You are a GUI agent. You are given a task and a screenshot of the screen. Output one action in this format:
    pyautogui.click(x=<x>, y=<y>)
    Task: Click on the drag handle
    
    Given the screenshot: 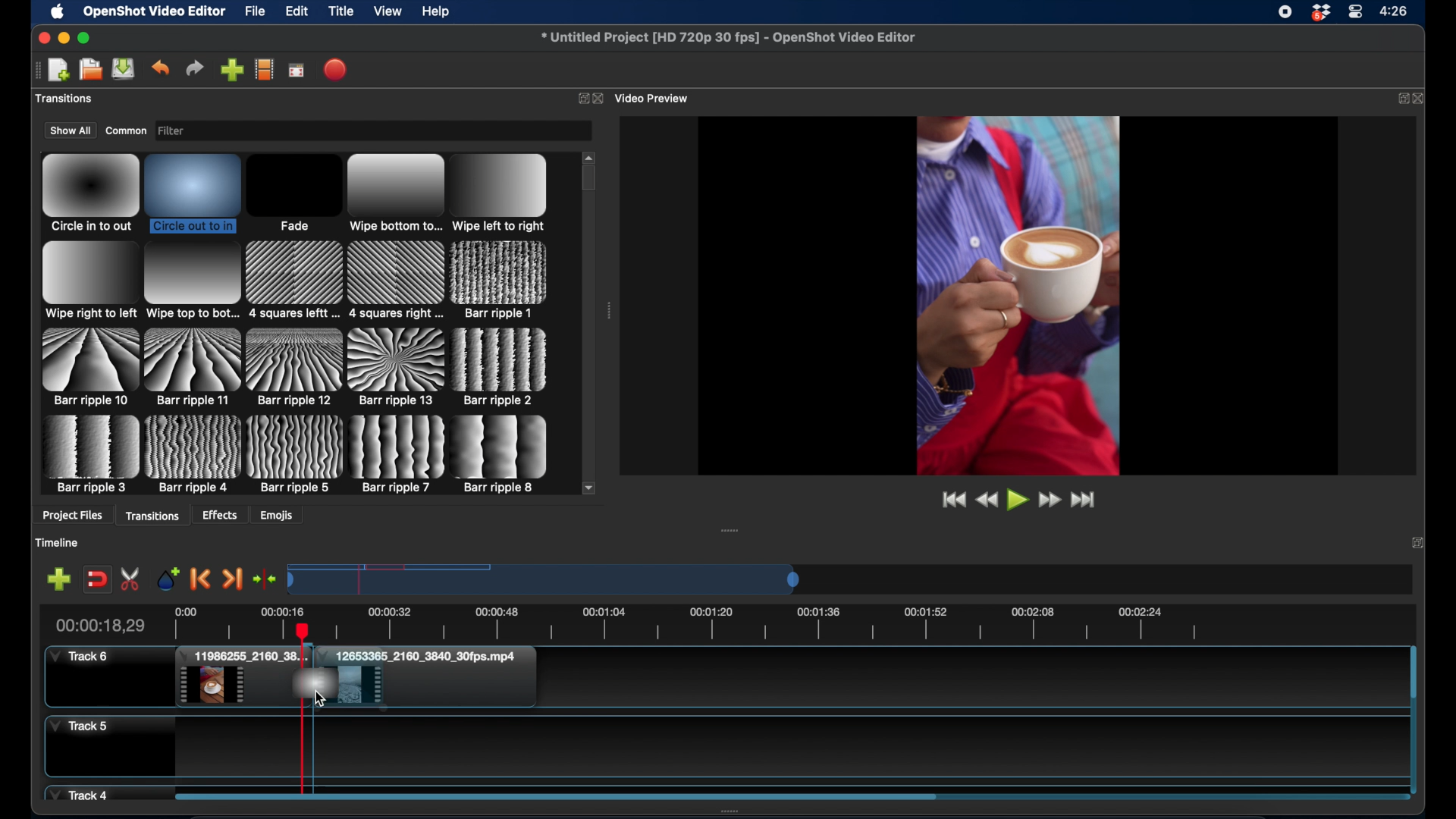 What is the action you would take?
    pyautogui.click(x=610, y=311)
    